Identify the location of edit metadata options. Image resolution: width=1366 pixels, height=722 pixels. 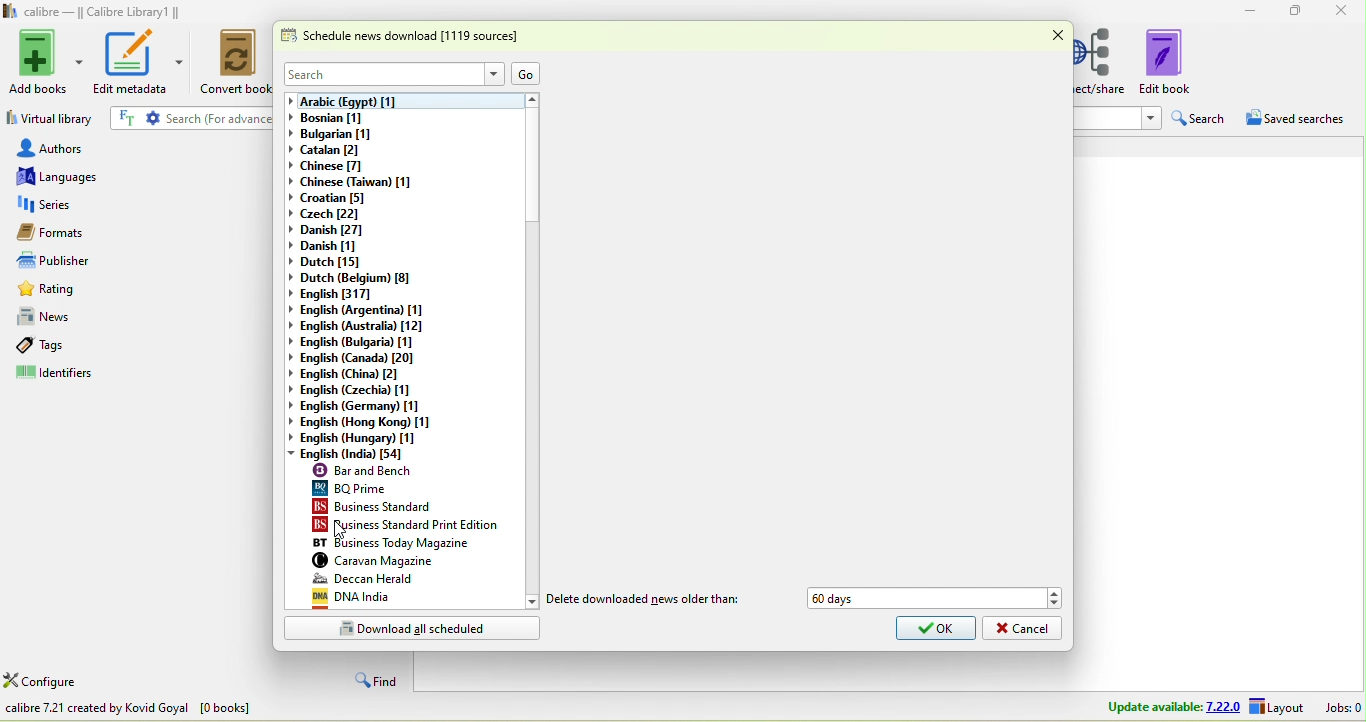
(181, 61).